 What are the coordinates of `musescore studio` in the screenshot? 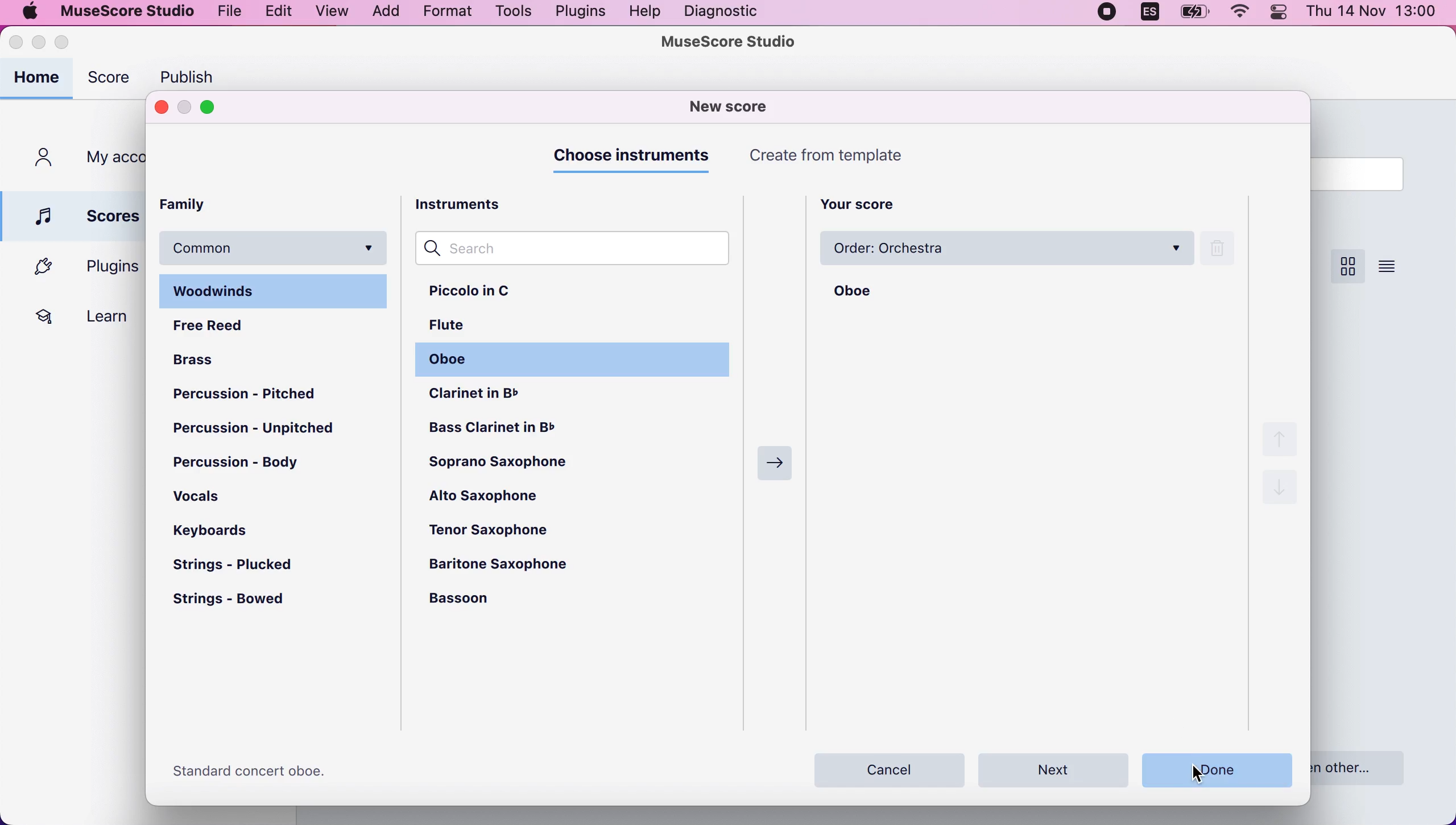 It's located at (731, 43).